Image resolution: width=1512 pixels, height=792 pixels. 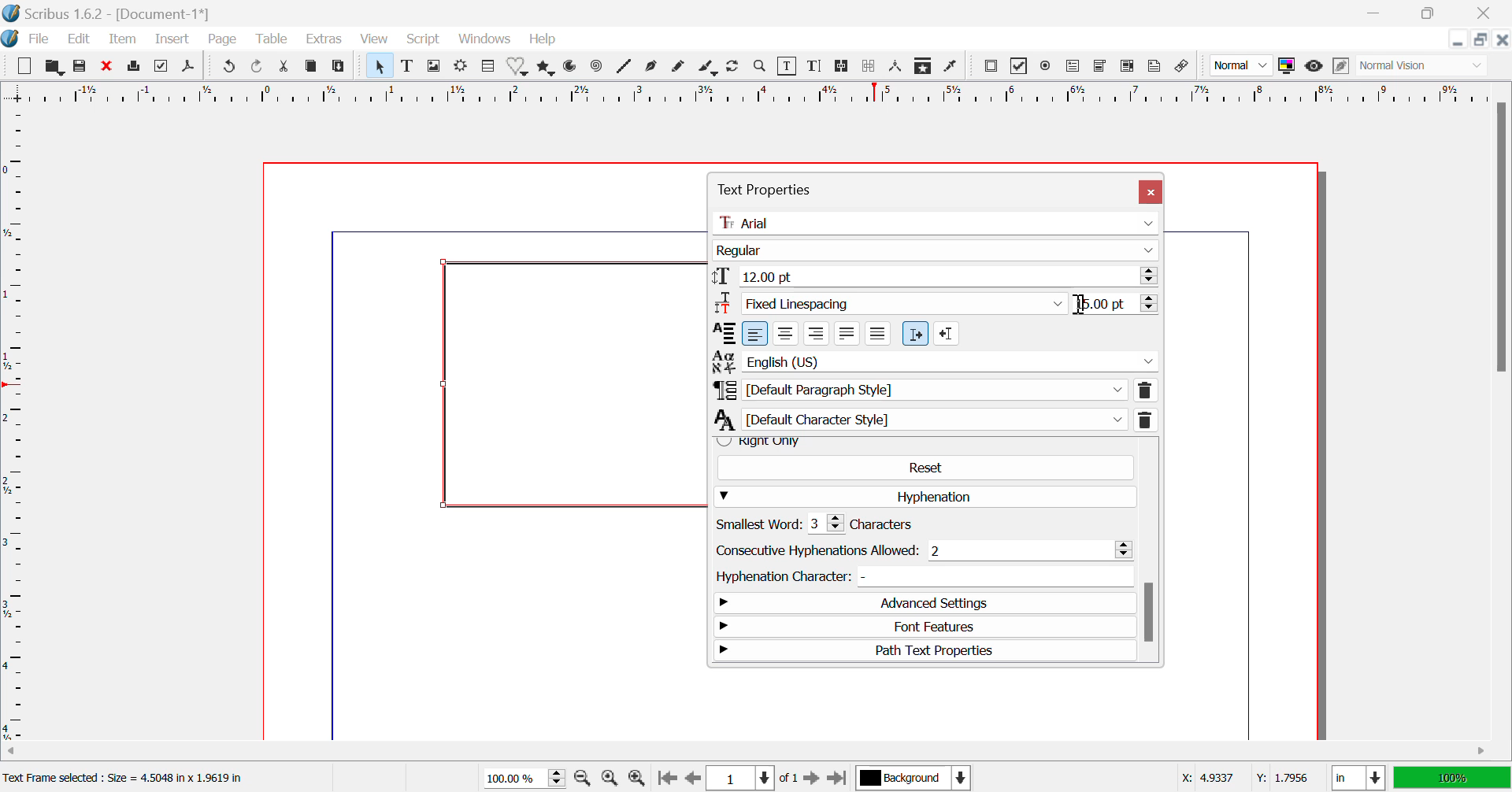 What do you see at coordinates (1156, 67) in the screenshot?
I see `Text Annotation` at bounding box center [1156, 67].